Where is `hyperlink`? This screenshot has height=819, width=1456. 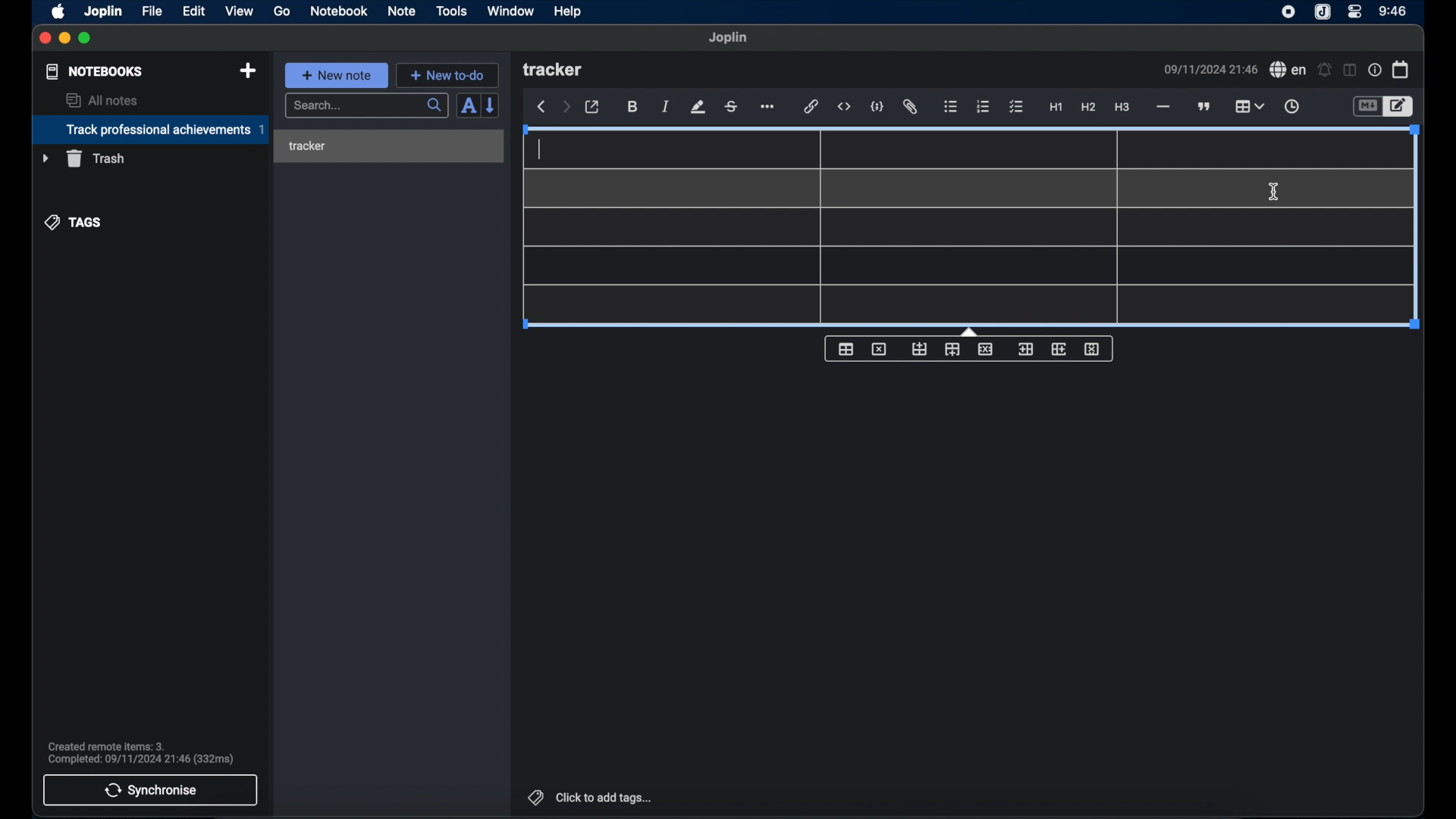
hyperlink is located at coordinates (811, 107).